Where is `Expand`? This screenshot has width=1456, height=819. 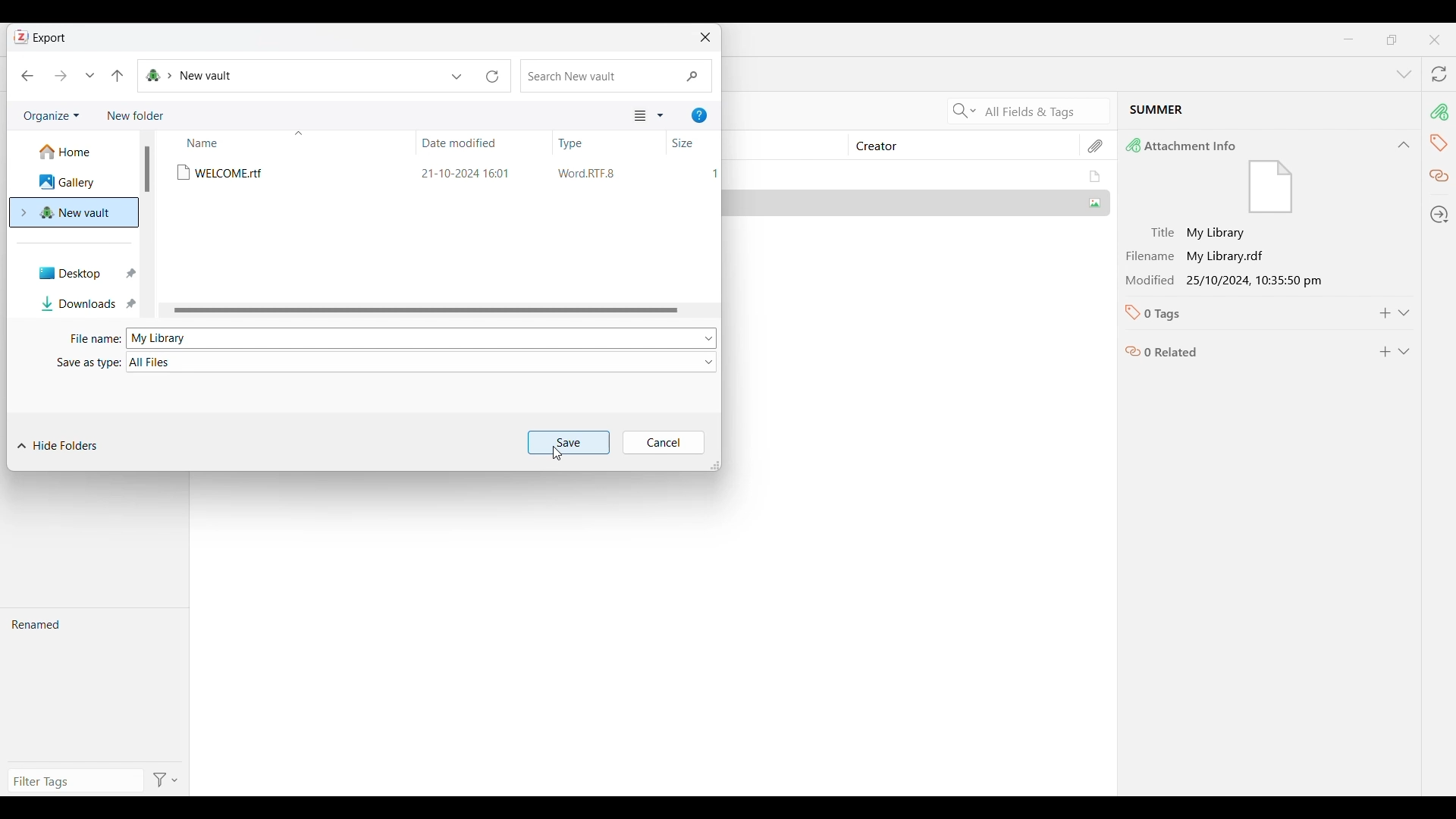
Expand is located at coordinates (1404, 352).